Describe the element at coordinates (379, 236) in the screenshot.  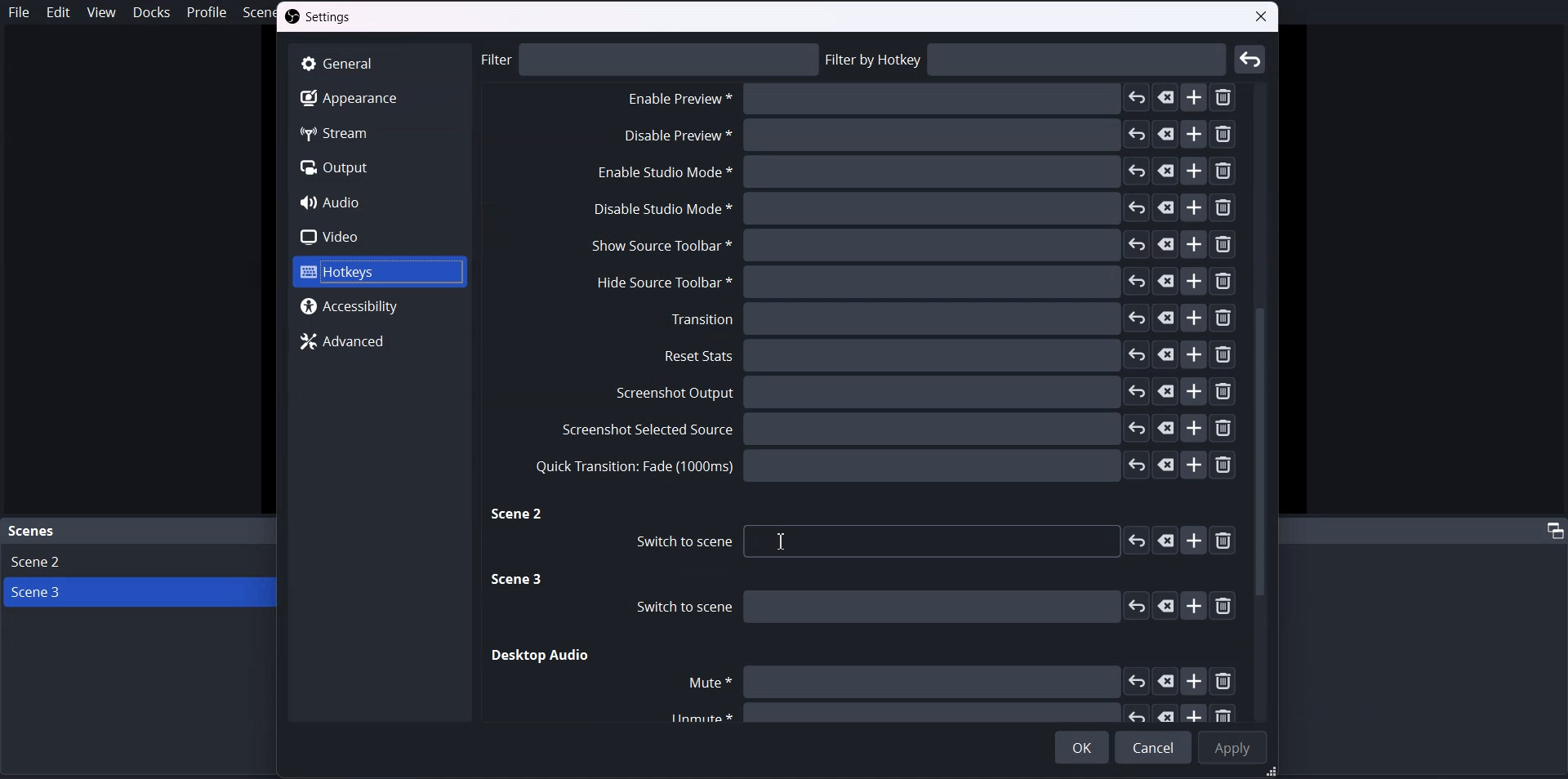
I see `Video` at that location.